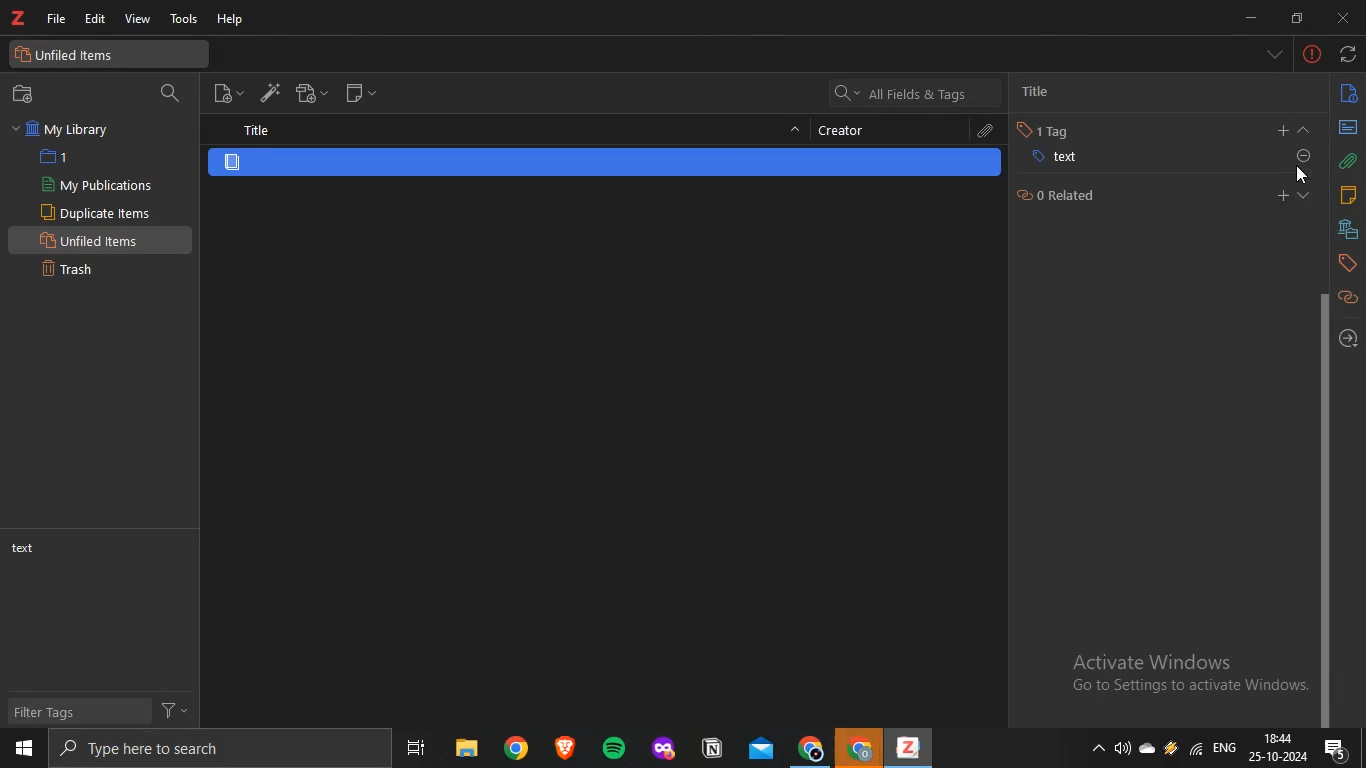 The width and height of the screenshot is (1366, 768). Describe the element at coordinates (562, 744) in the screenshot. I see `app` at that location.